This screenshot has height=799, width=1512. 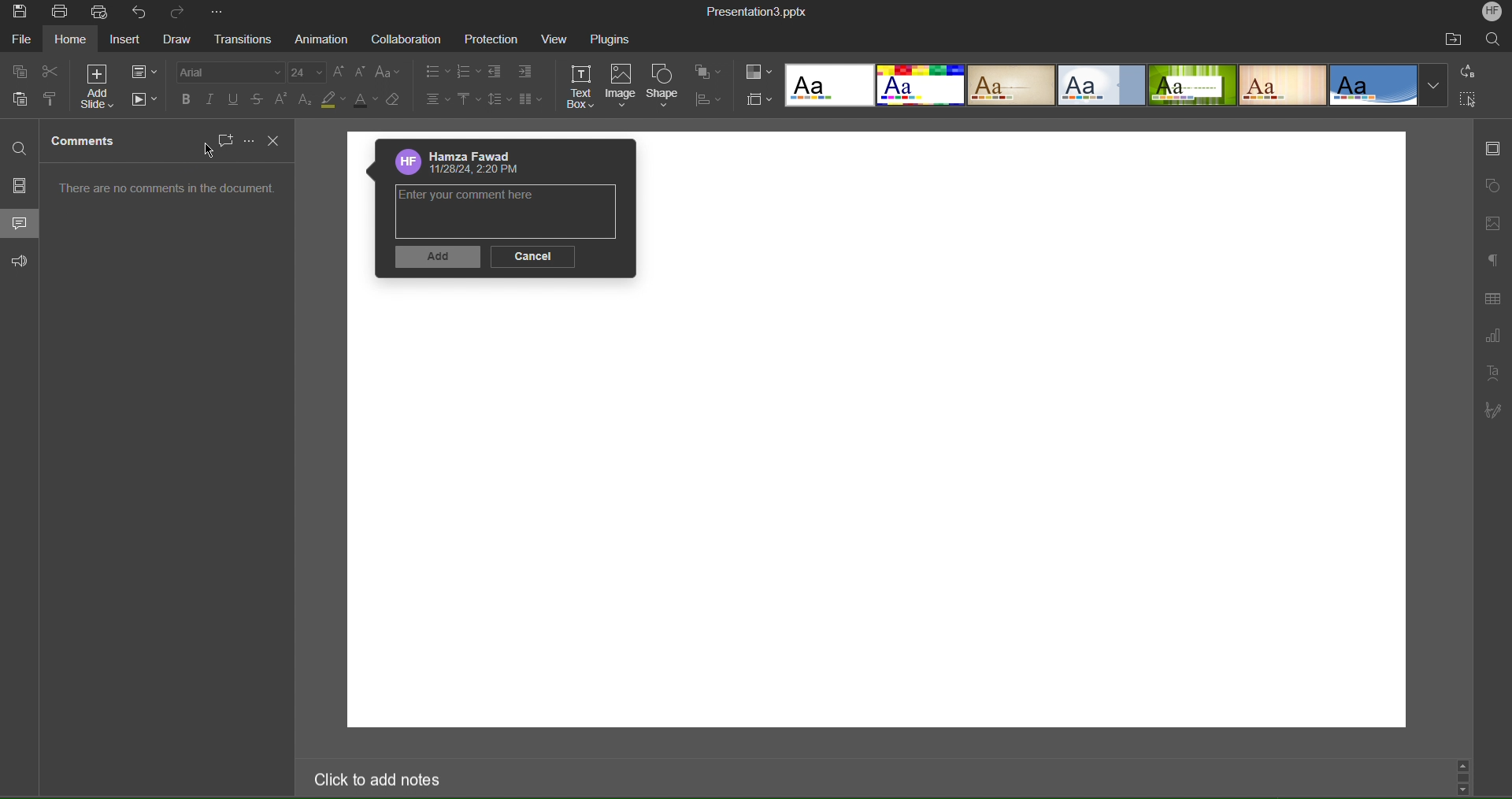 I want to click on Superscript, so click(x=283, y=100).